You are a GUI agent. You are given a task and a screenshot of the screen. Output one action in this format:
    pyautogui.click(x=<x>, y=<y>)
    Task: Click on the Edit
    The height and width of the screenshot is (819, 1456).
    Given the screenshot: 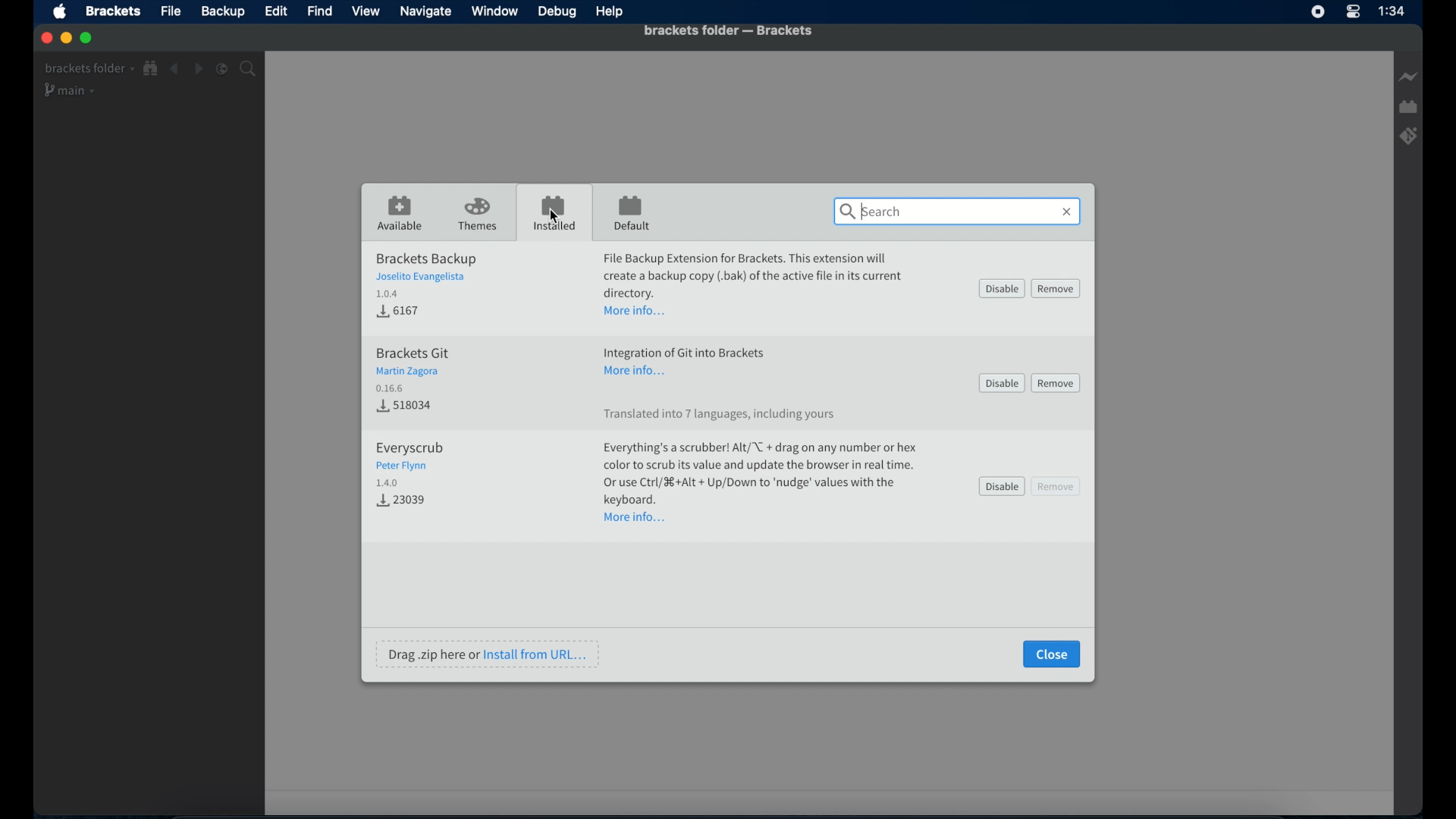 What is the action you would take?
    pyautogui.click(x=275, y=11)
    